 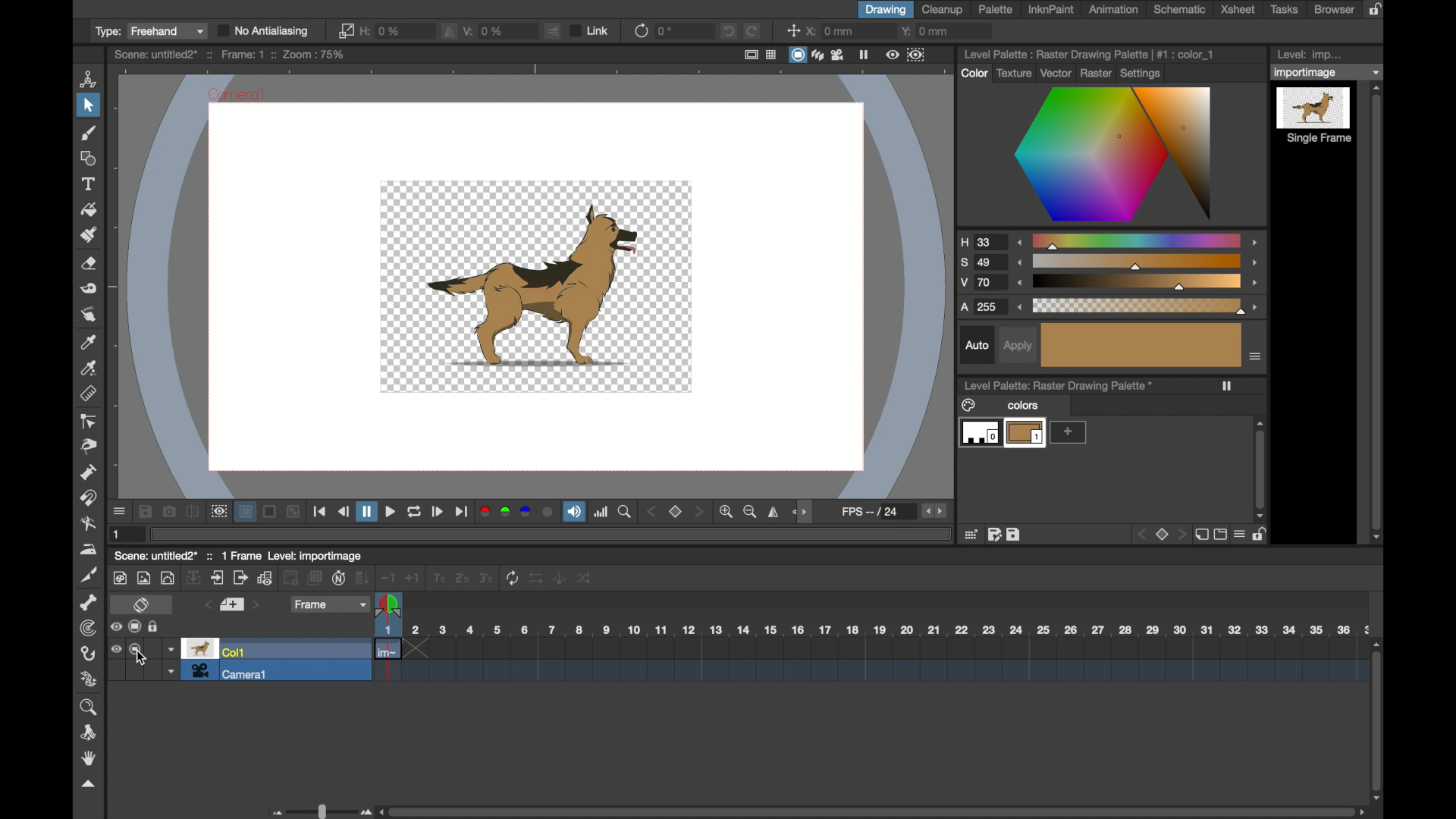 What do you see at coordinates (774, 512) in the screenshot?
I see `flip horizontally` at bounding box center [774, 512].